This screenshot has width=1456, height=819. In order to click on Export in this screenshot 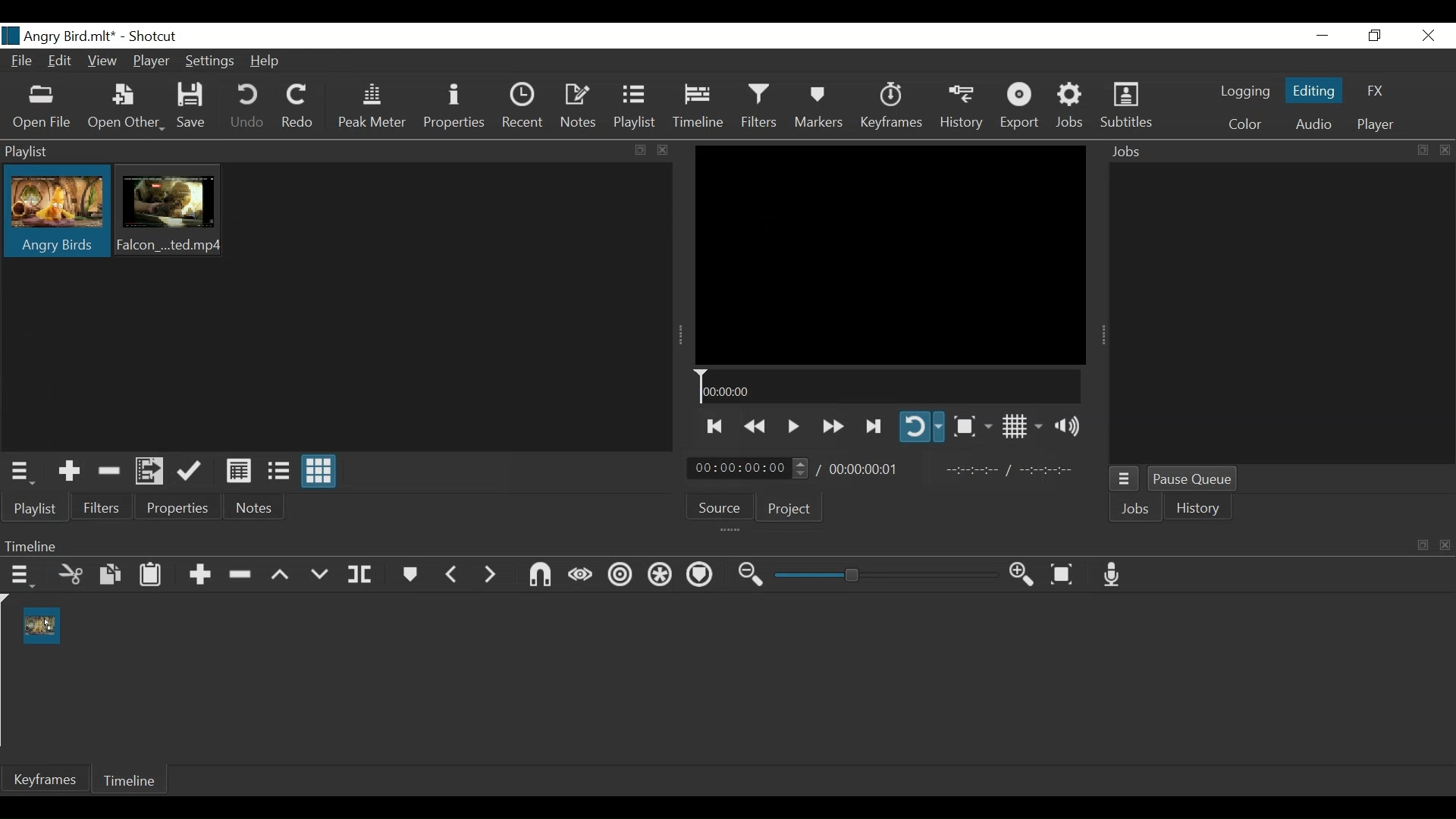, I will do `click(1023, 108)`.